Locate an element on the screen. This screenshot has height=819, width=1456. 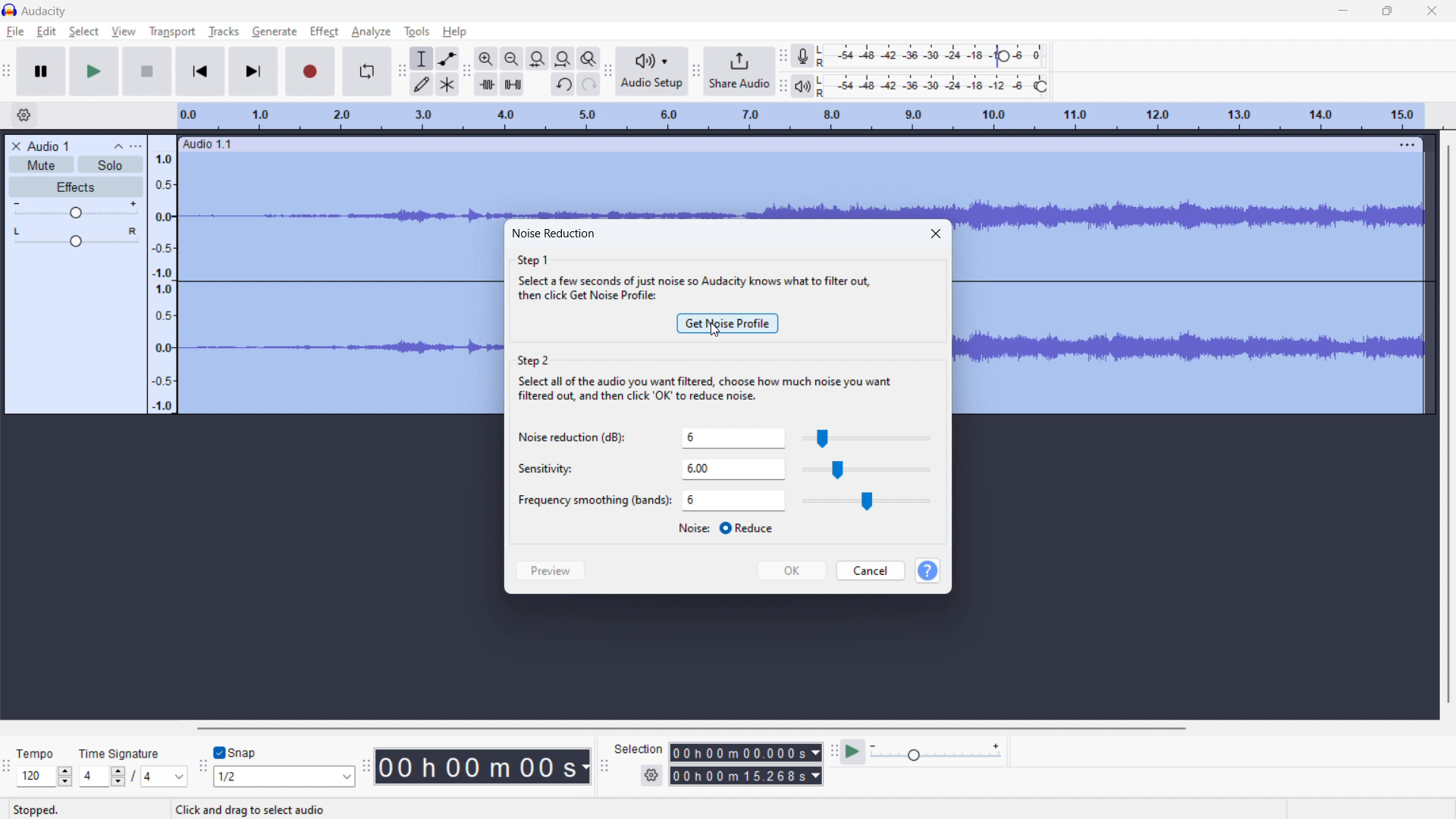
envelop tool is located at coordinates (447, 58).